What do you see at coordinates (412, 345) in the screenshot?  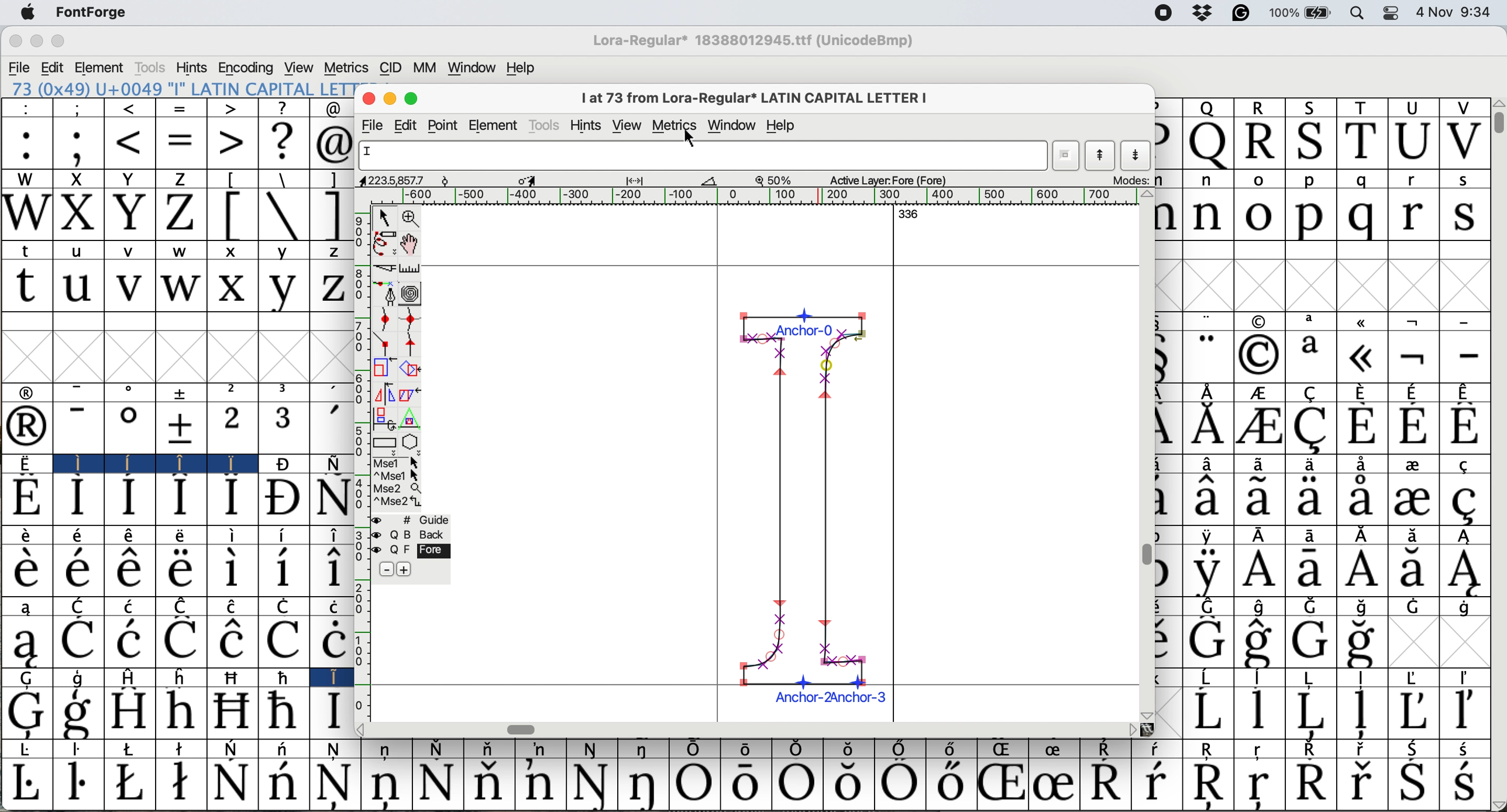 I see `tangent point` at bounding box center [412, 345].